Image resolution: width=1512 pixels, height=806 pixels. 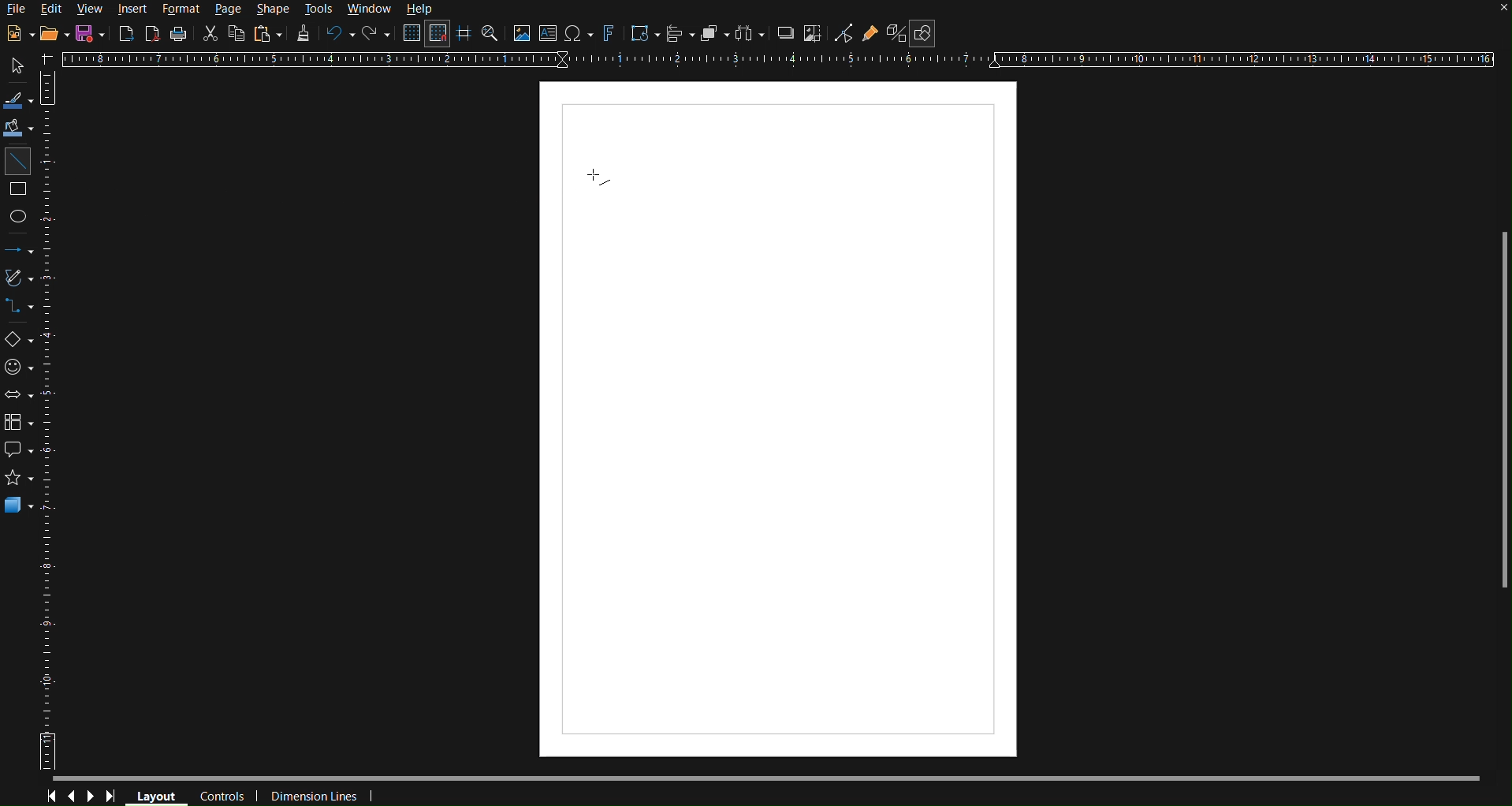 What do you see at coordinates (221, 797) in the screenshot?
I see `Controls` at bounding box center [221, 797].